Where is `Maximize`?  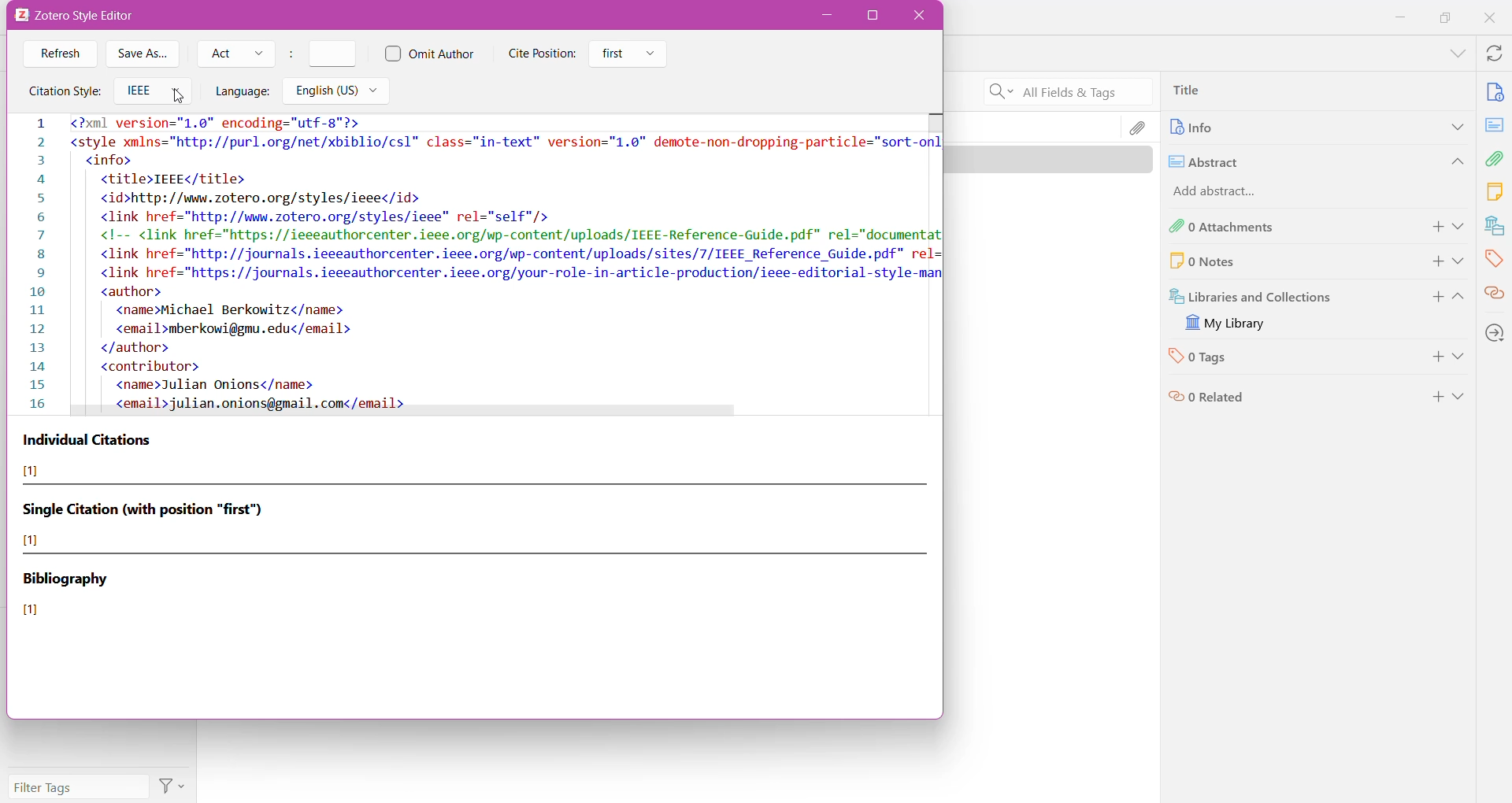 Maximize is located at coordinates (873, 16).